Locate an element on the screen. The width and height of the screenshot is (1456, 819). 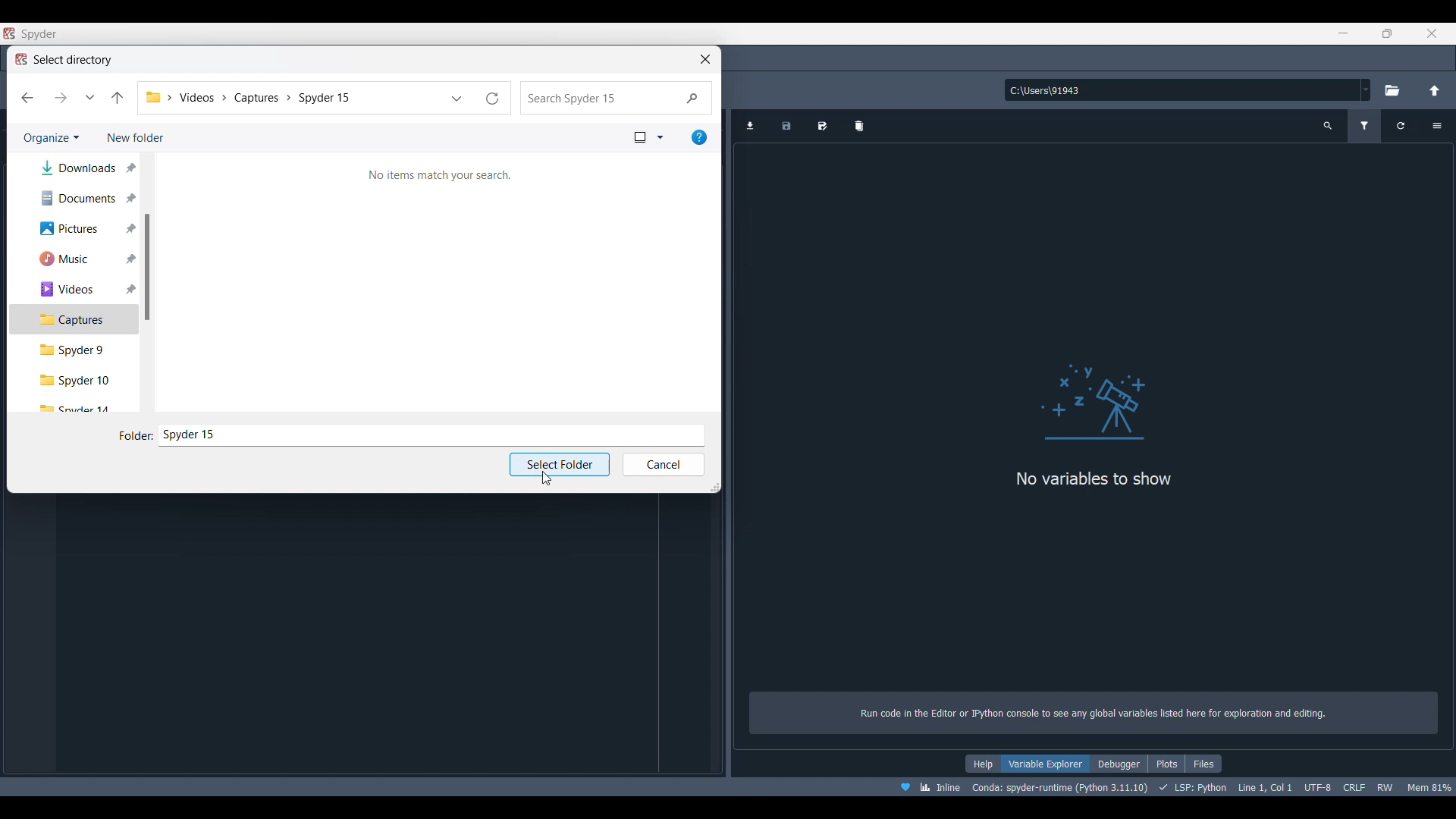
Go forward is located at coordinates (61, 98).